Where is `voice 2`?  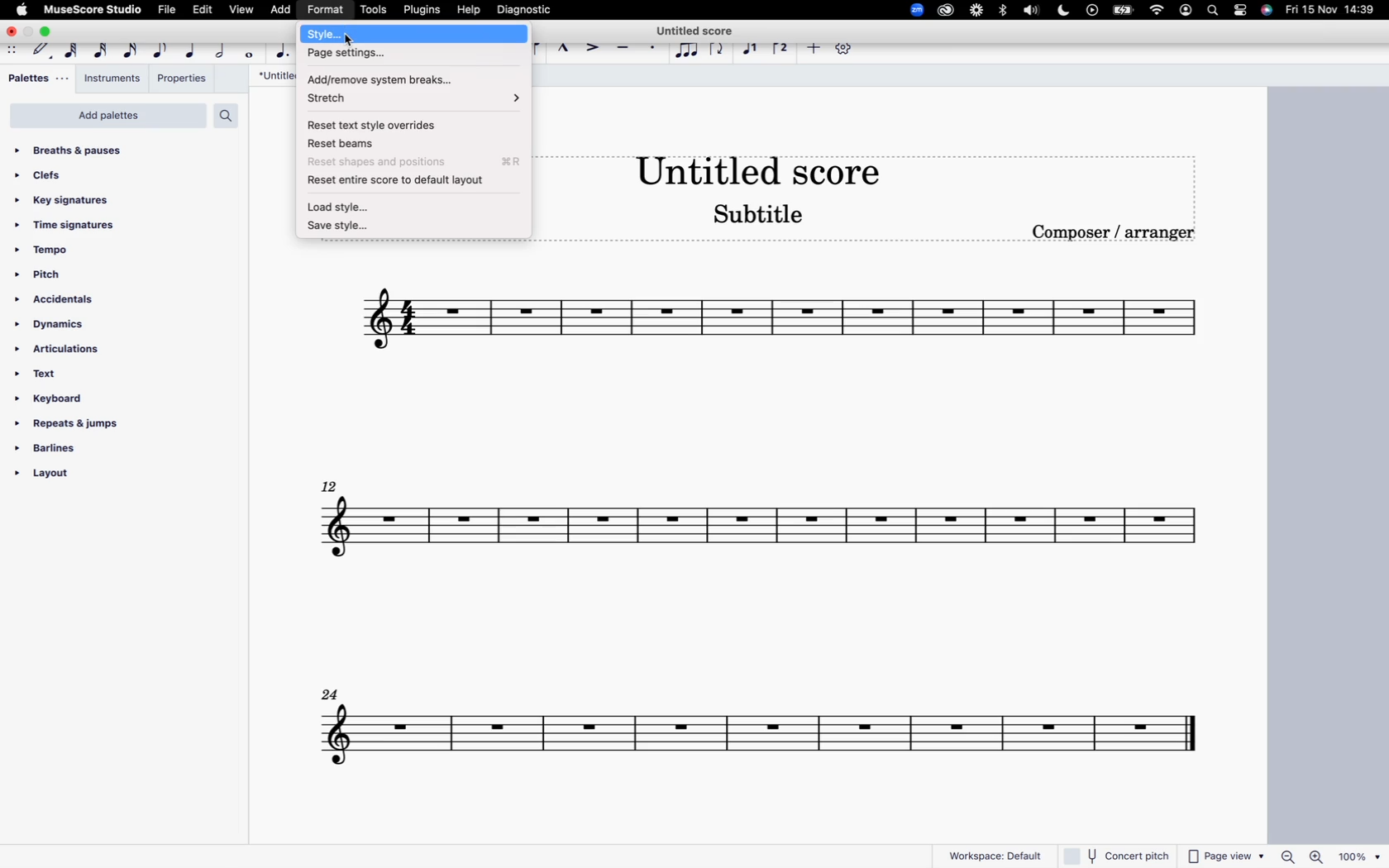
voice 2 is located at coordinates (782, 48).